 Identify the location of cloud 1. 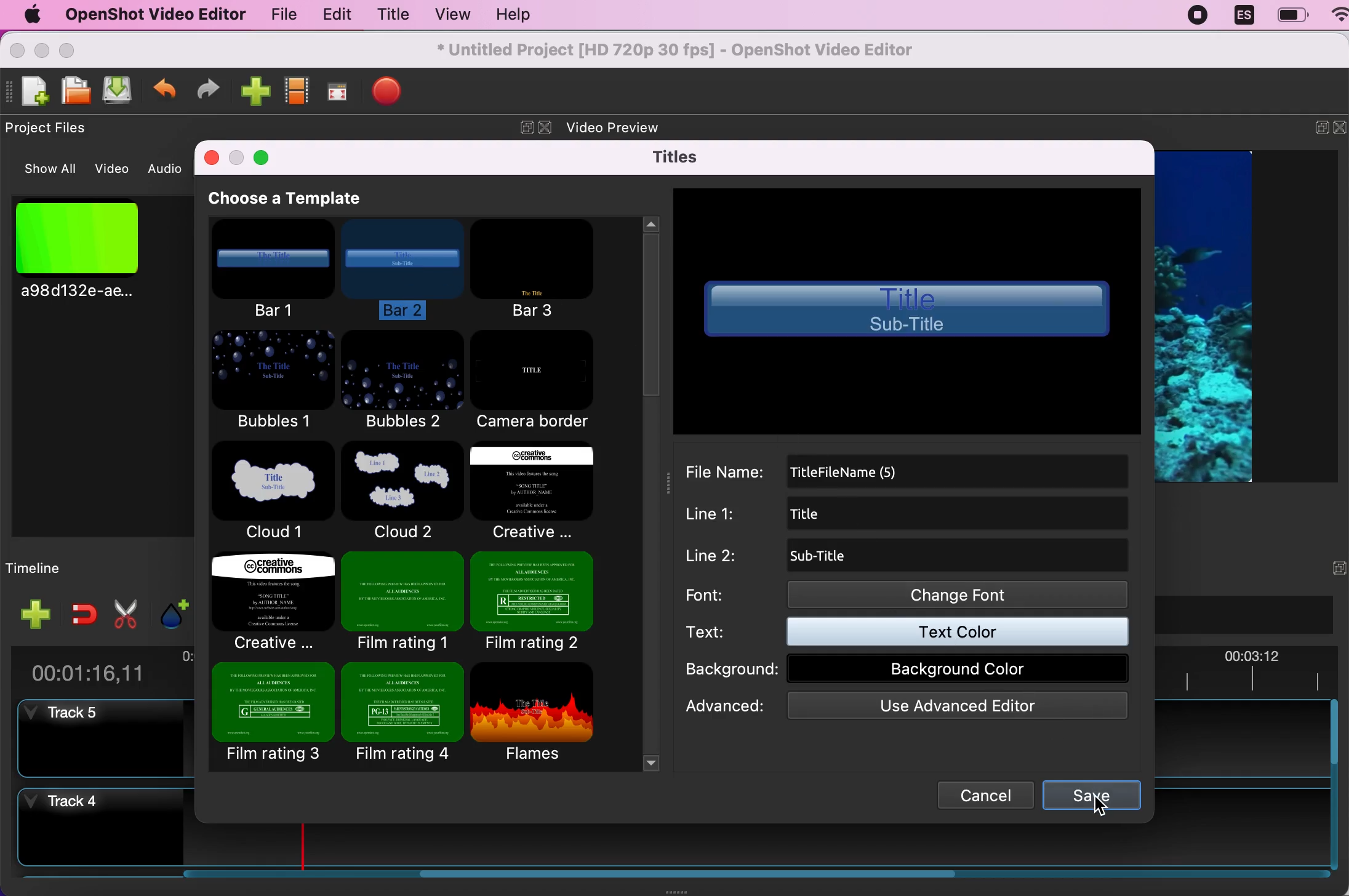
(275, 493).